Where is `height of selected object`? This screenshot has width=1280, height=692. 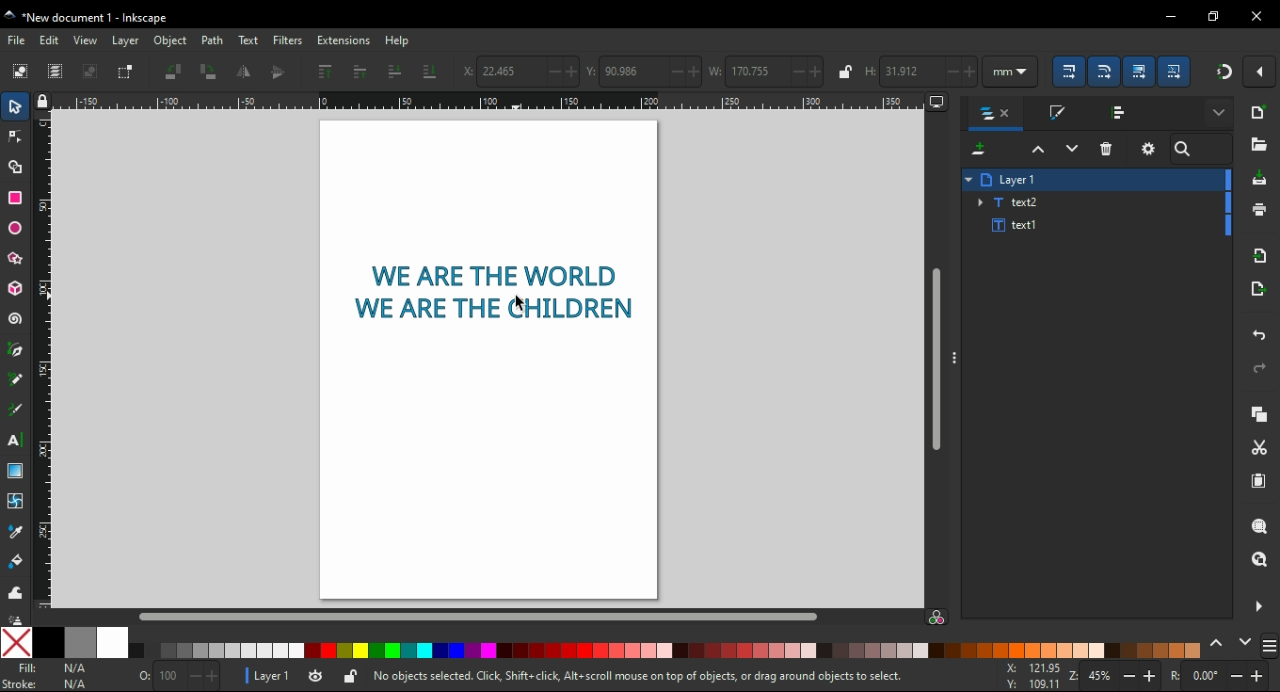
height of selected object is located at coordinates (919, 70).